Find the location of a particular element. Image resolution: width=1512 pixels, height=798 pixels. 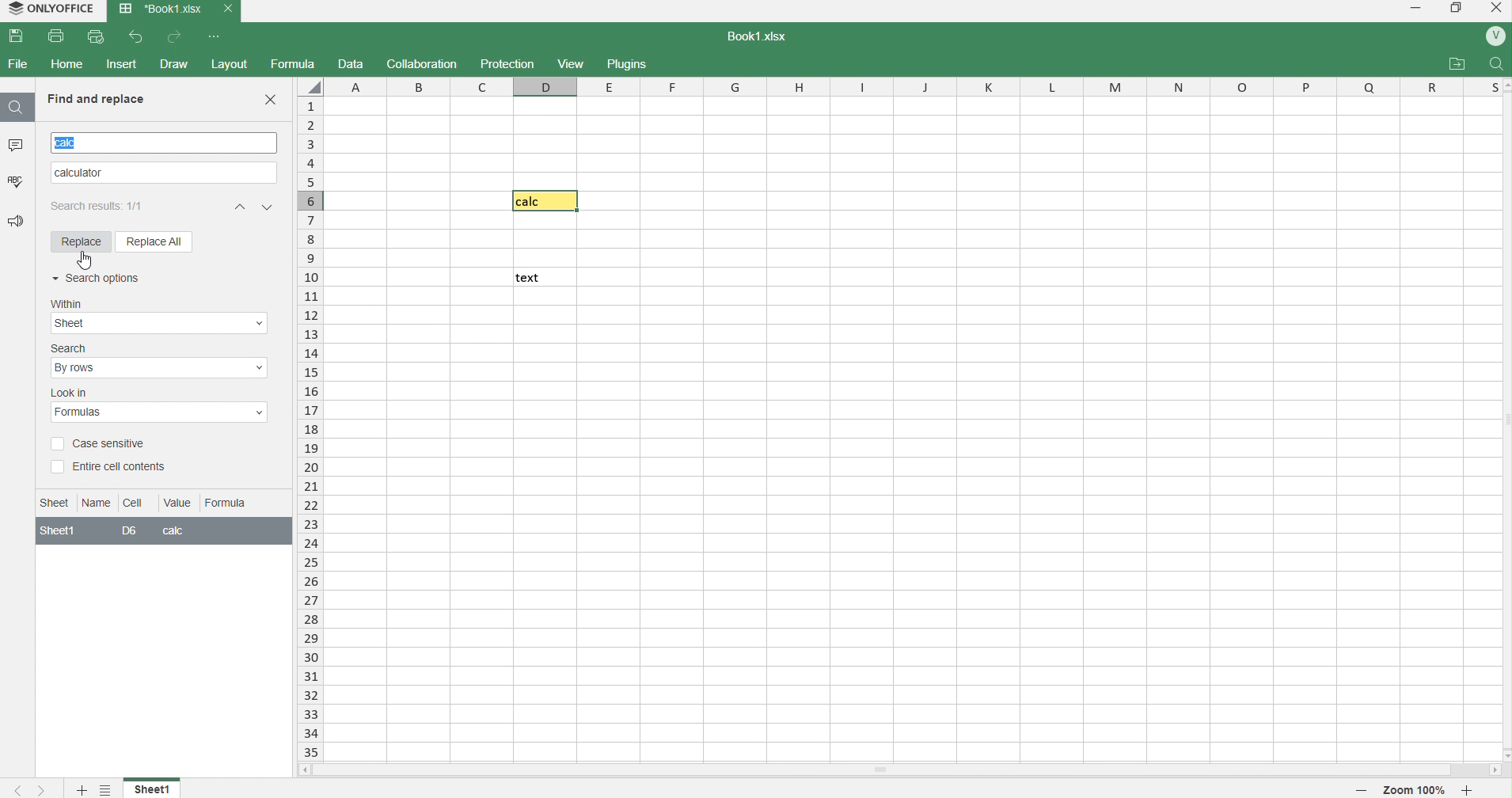

rows is located at coordinates (314, 427).